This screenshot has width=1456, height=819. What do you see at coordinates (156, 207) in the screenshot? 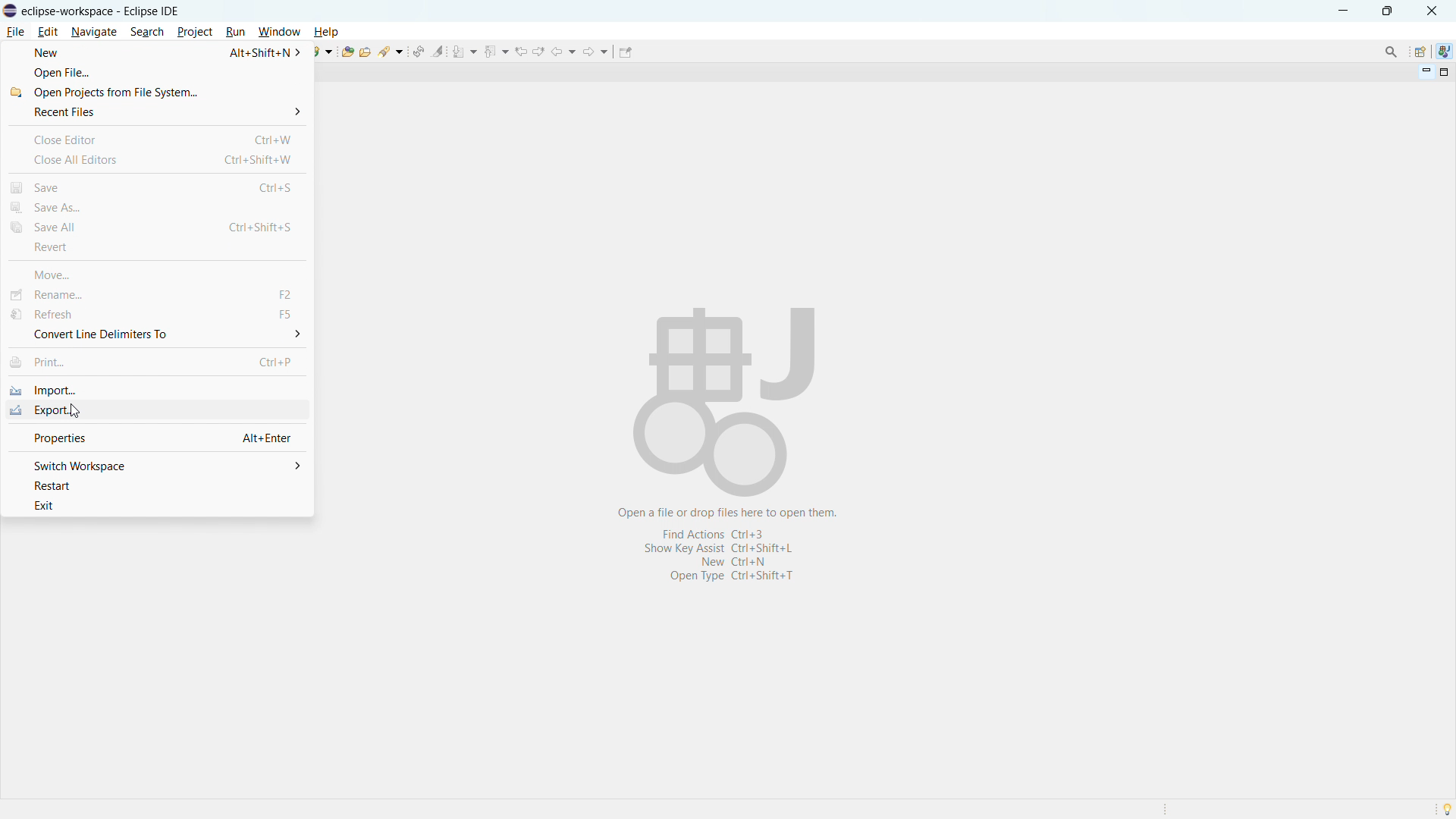
I see `save as` at bounding box center [156, 207].